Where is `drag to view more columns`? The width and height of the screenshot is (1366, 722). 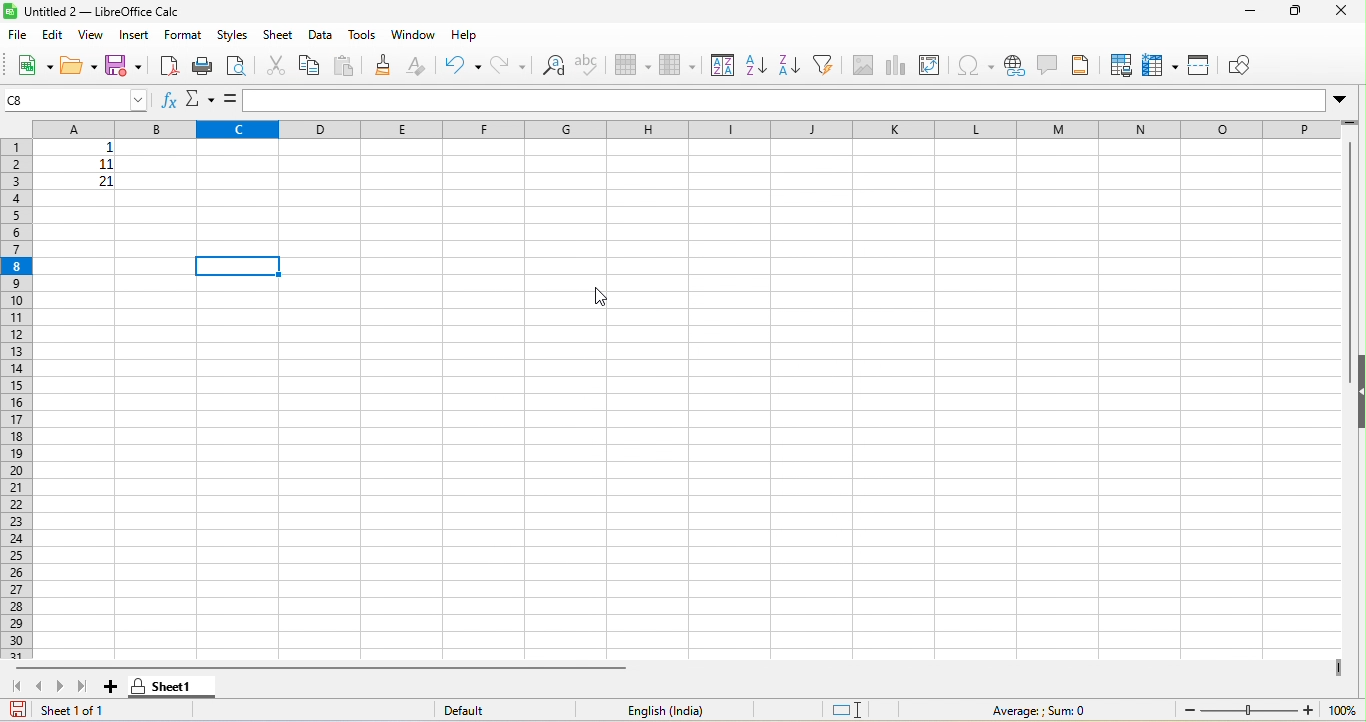 drag to view more columns is located at coordinates (1335, 666).